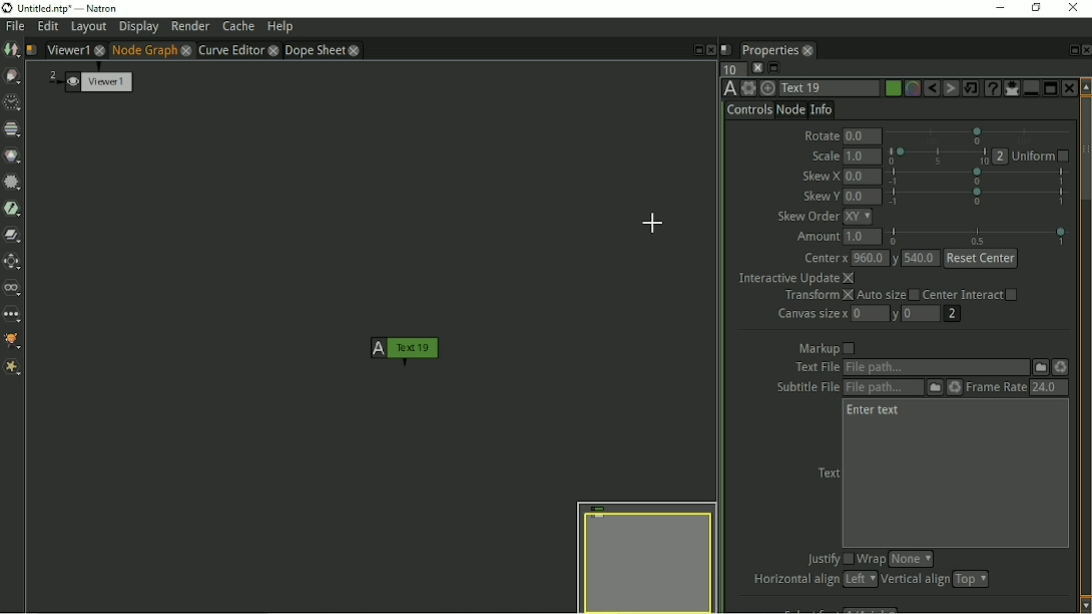  What do you see at coordinates (646, 556) in the screenshot?
I see `Preview` at bounding box center [646, 556].